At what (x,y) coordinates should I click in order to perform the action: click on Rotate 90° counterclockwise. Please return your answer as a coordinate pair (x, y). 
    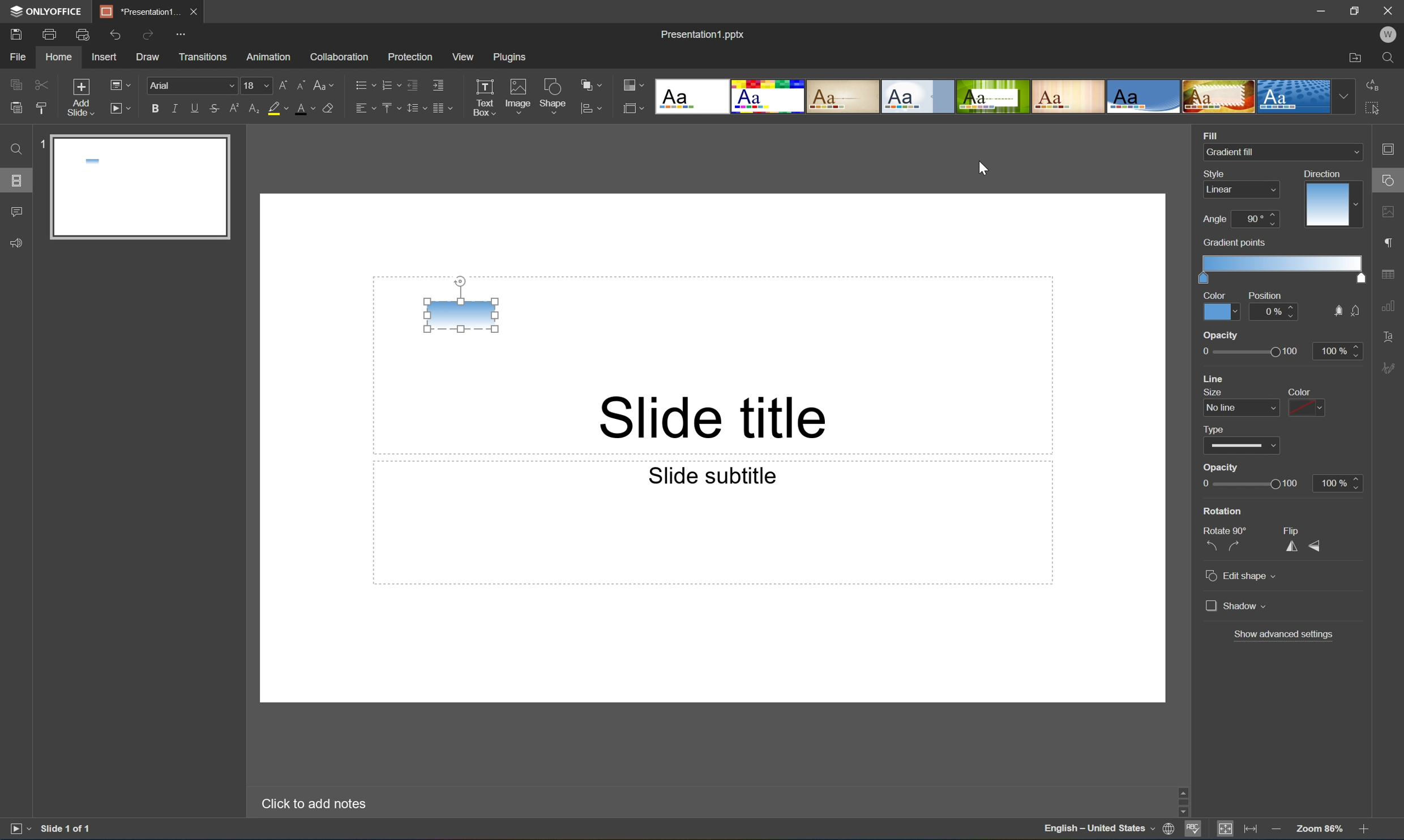
    Looking at the image, I should click on (1211, 546).